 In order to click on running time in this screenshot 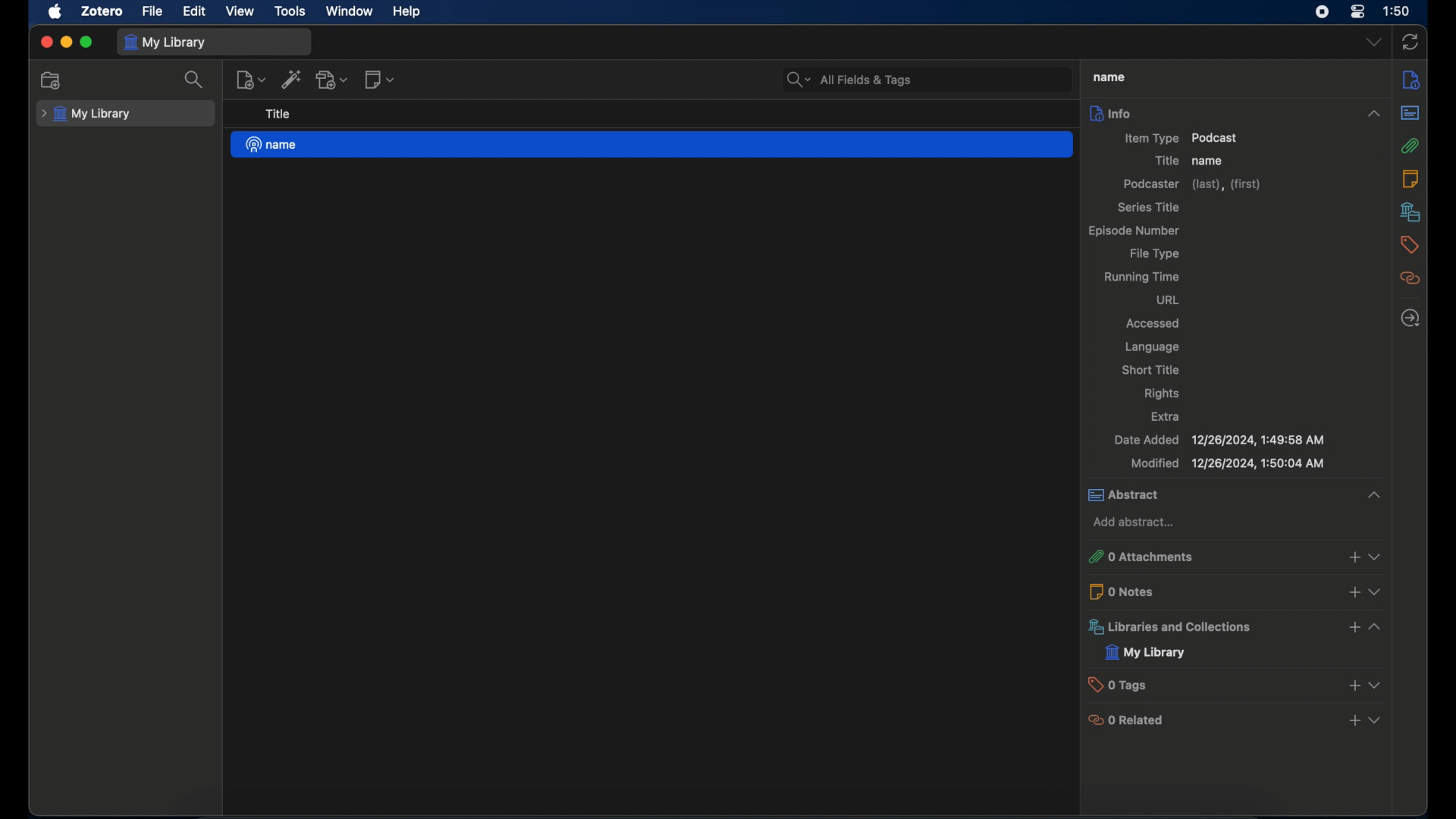, I will do `click(1143, 278)`.